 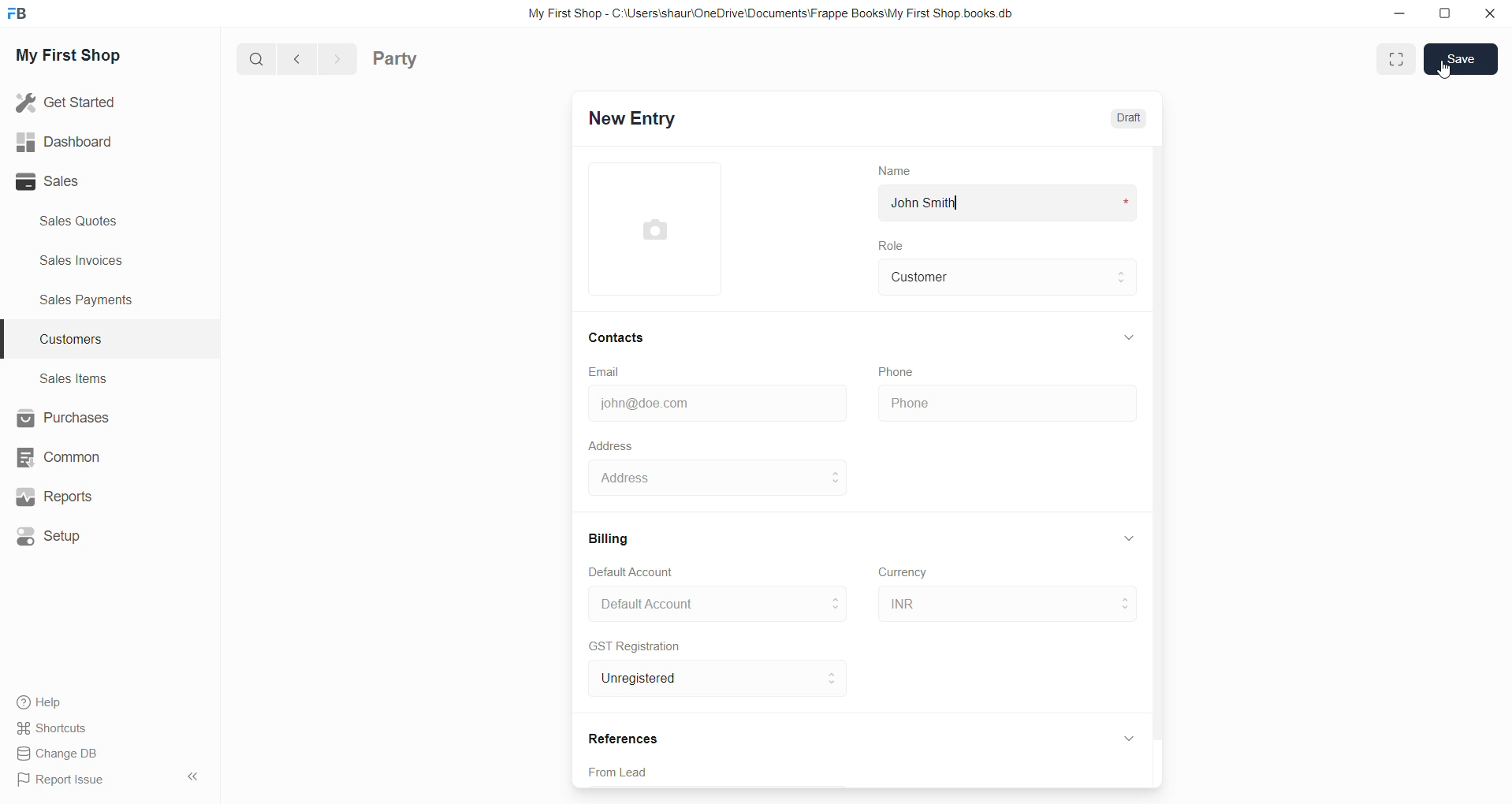 I want to click on Default Account, so click(x=643, y=570).